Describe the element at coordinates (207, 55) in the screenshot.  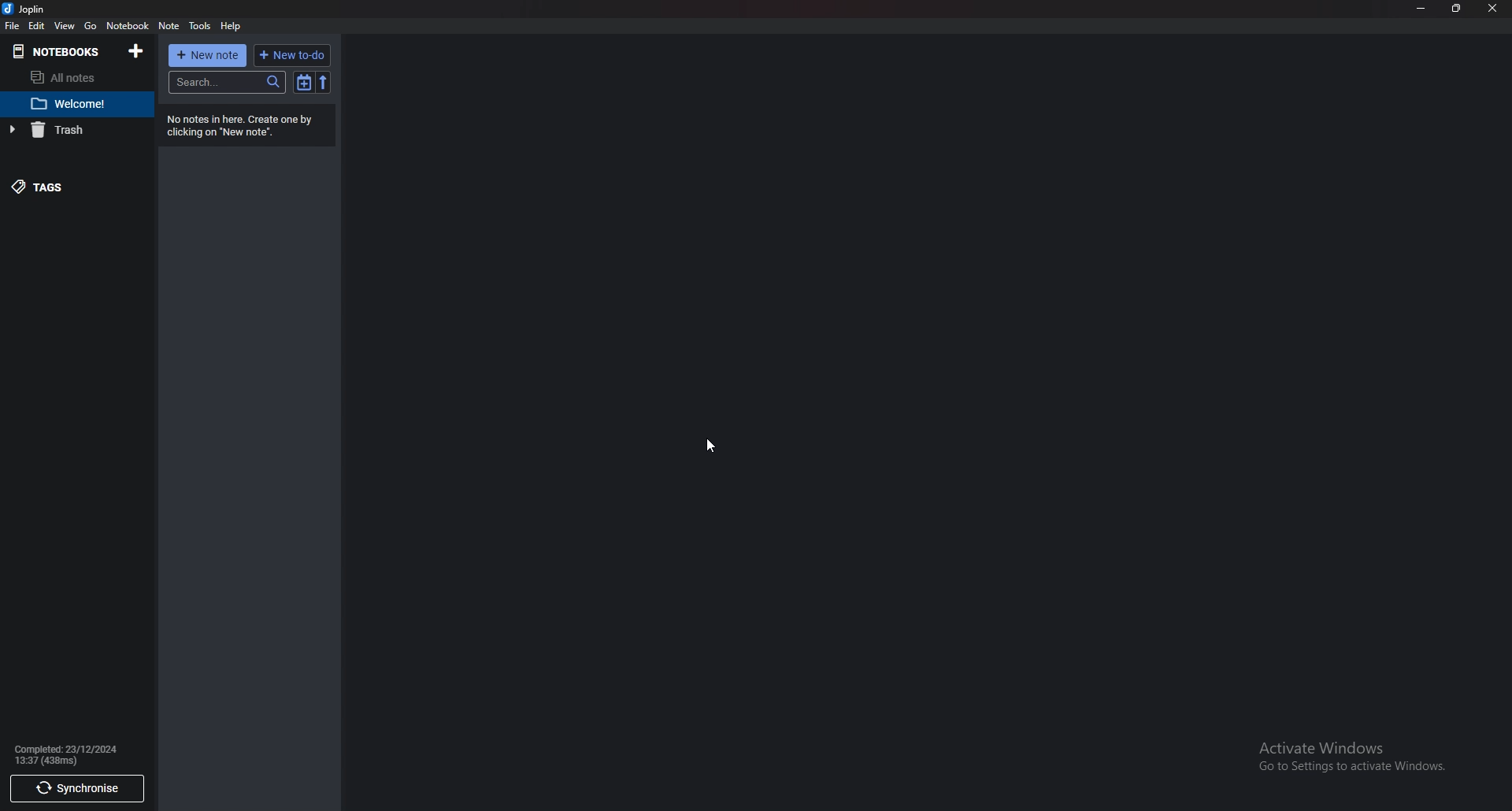
I see `New note` at that location.